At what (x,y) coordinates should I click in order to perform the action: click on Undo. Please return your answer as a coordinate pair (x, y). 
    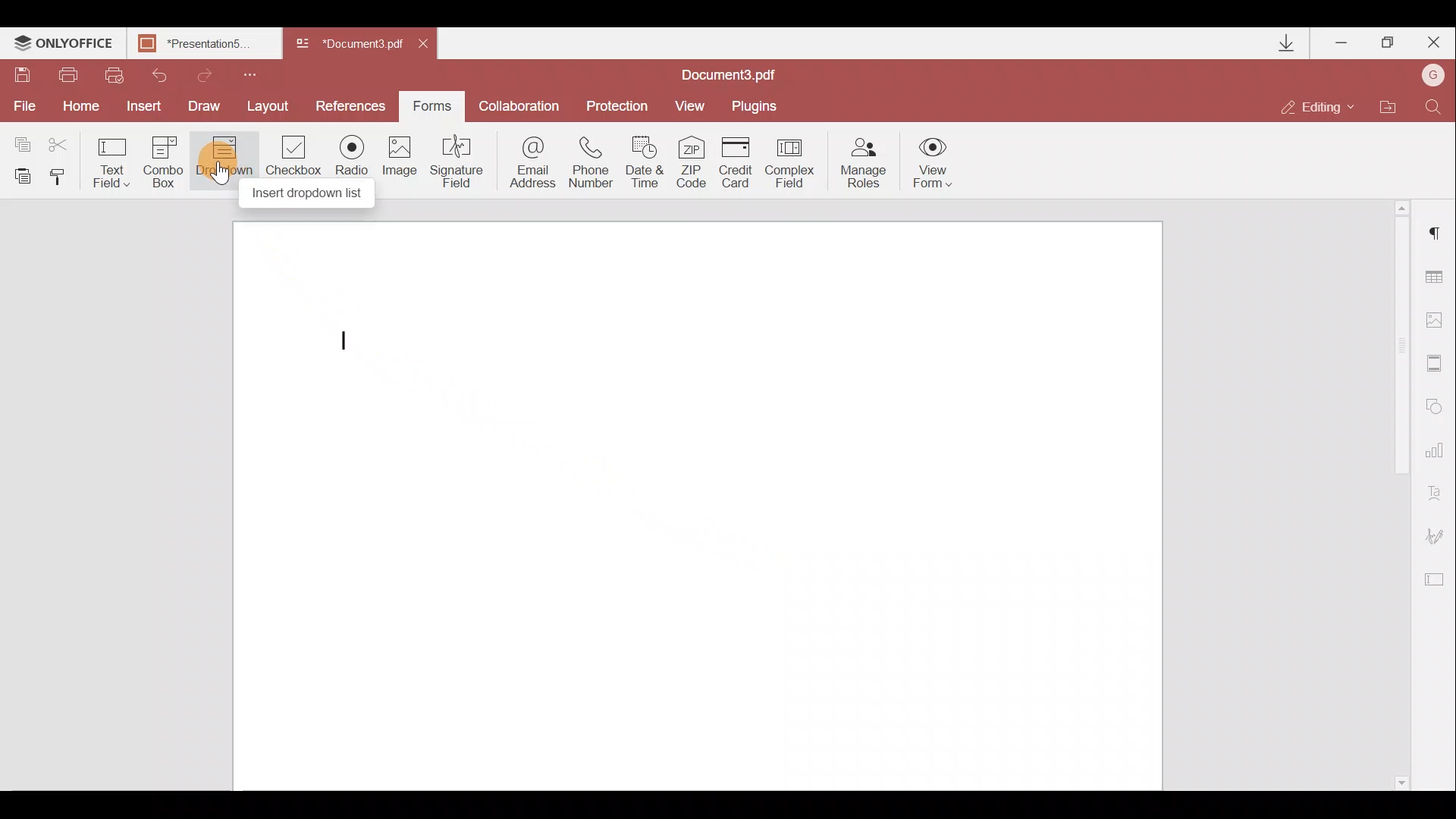
    Looking at the image, I should click on (158, 76).